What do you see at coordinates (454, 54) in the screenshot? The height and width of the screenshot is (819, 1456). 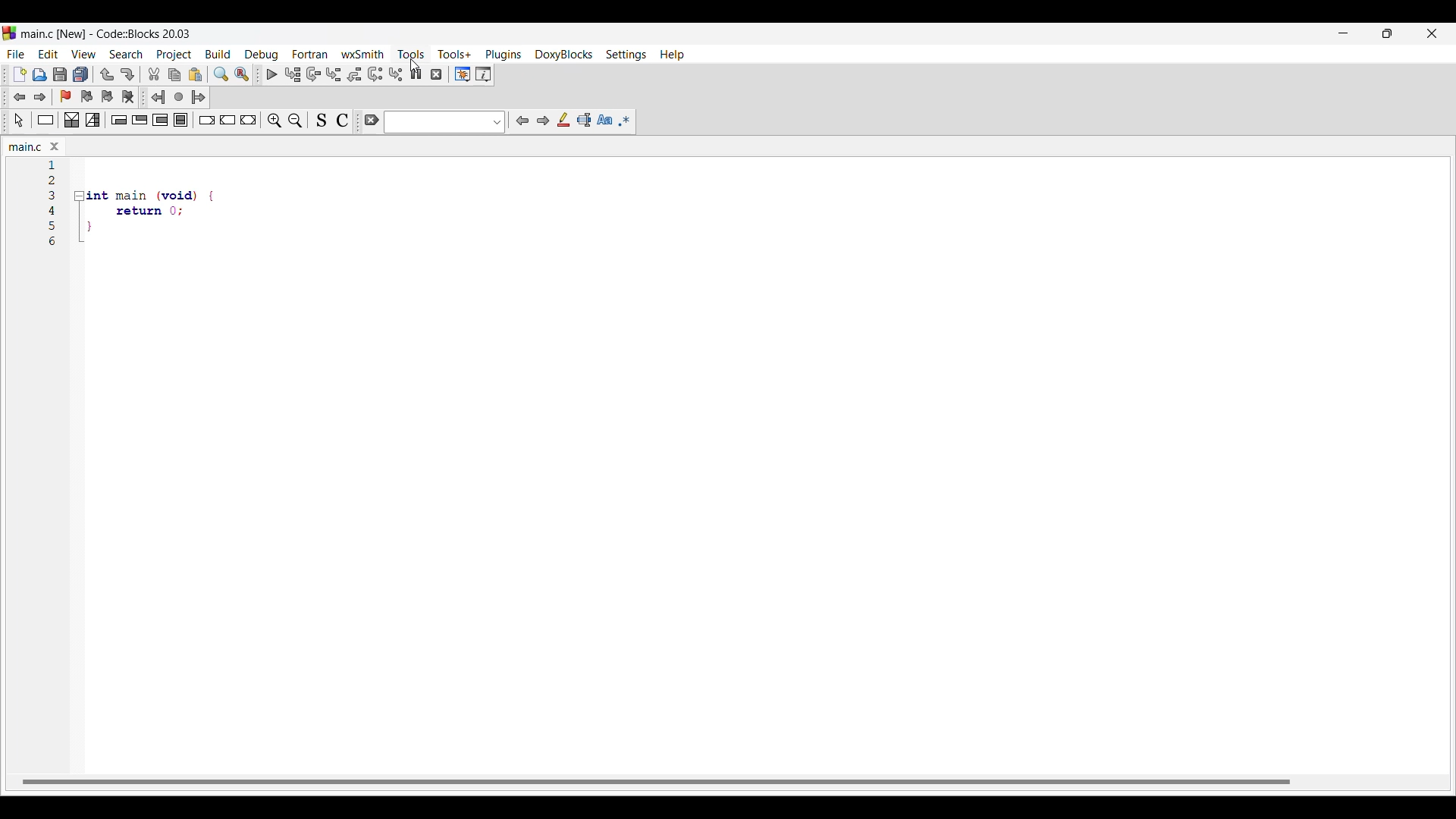 I see `Tools+ menu` at bounding box center [454, 54].